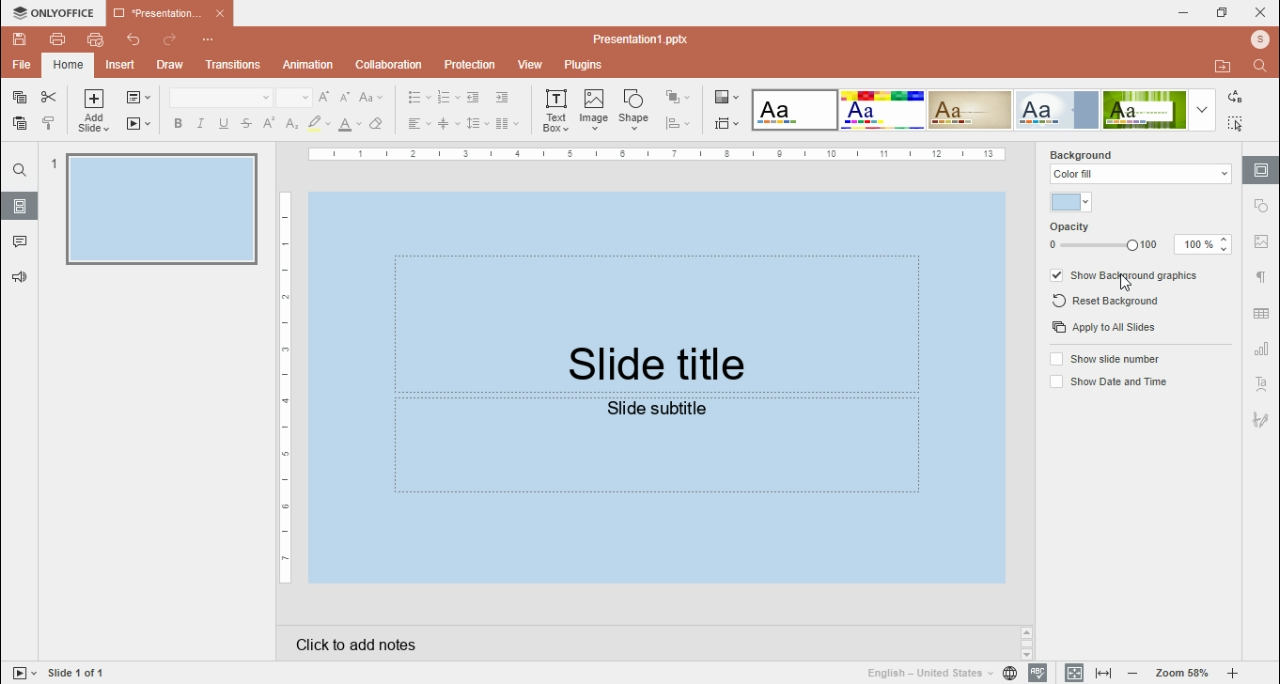 The image size is (1280, 684). What do you see at coordinates (1202, 109) in the screenshot?
I see `more themes` at bounding box center [1202, 109].